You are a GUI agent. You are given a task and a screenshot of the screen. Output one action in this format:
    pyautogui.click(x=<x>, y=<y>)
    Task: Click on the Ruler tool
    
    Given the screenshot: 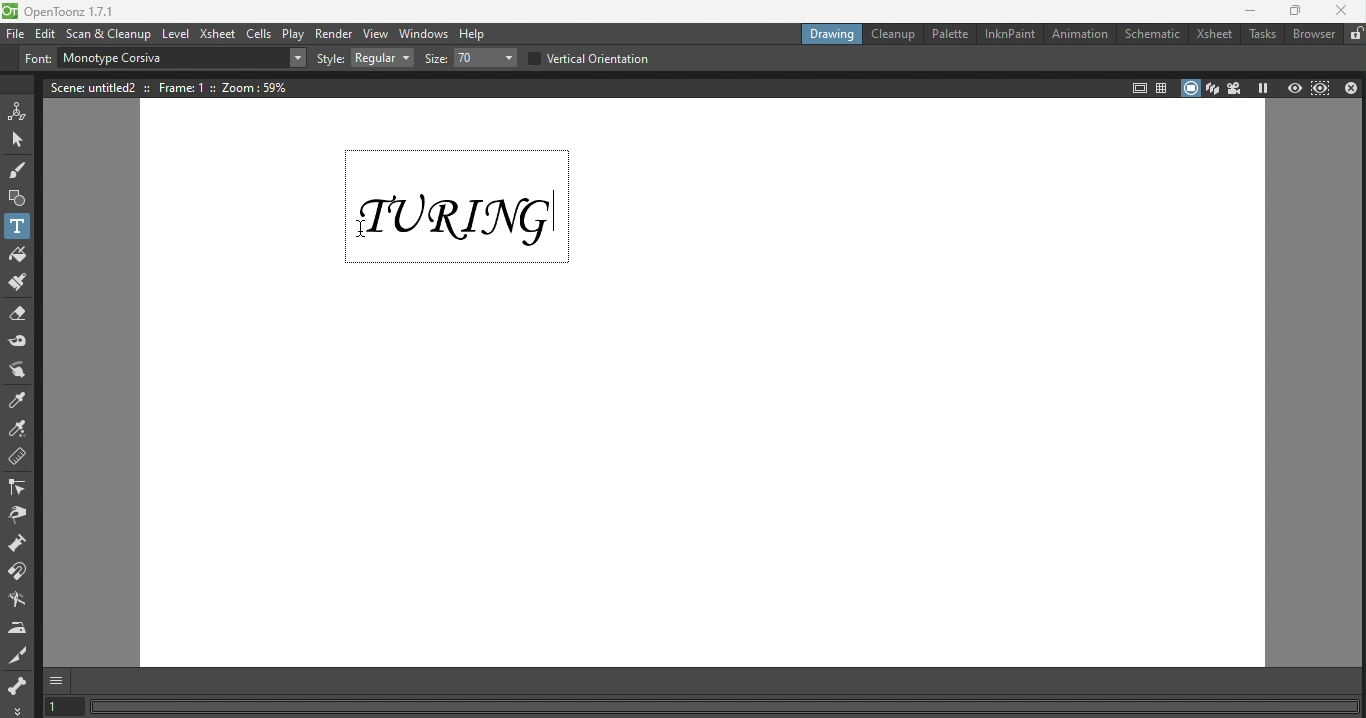 What is the action you would take?
    pyautogui.click(x=18, y=457)
    